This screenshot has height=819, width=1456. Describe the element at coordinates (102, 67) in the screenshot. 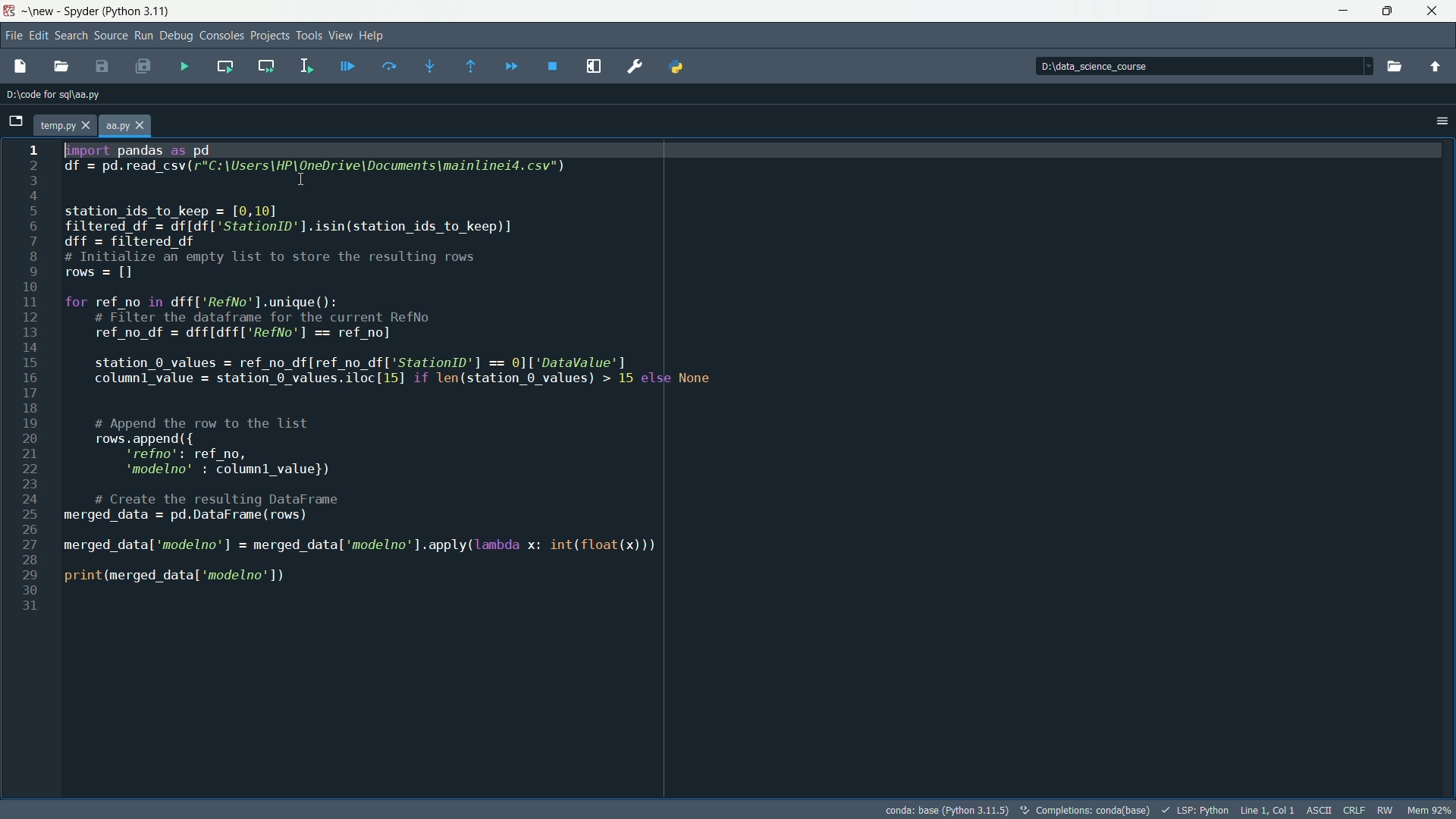

I see `save file` at that location.